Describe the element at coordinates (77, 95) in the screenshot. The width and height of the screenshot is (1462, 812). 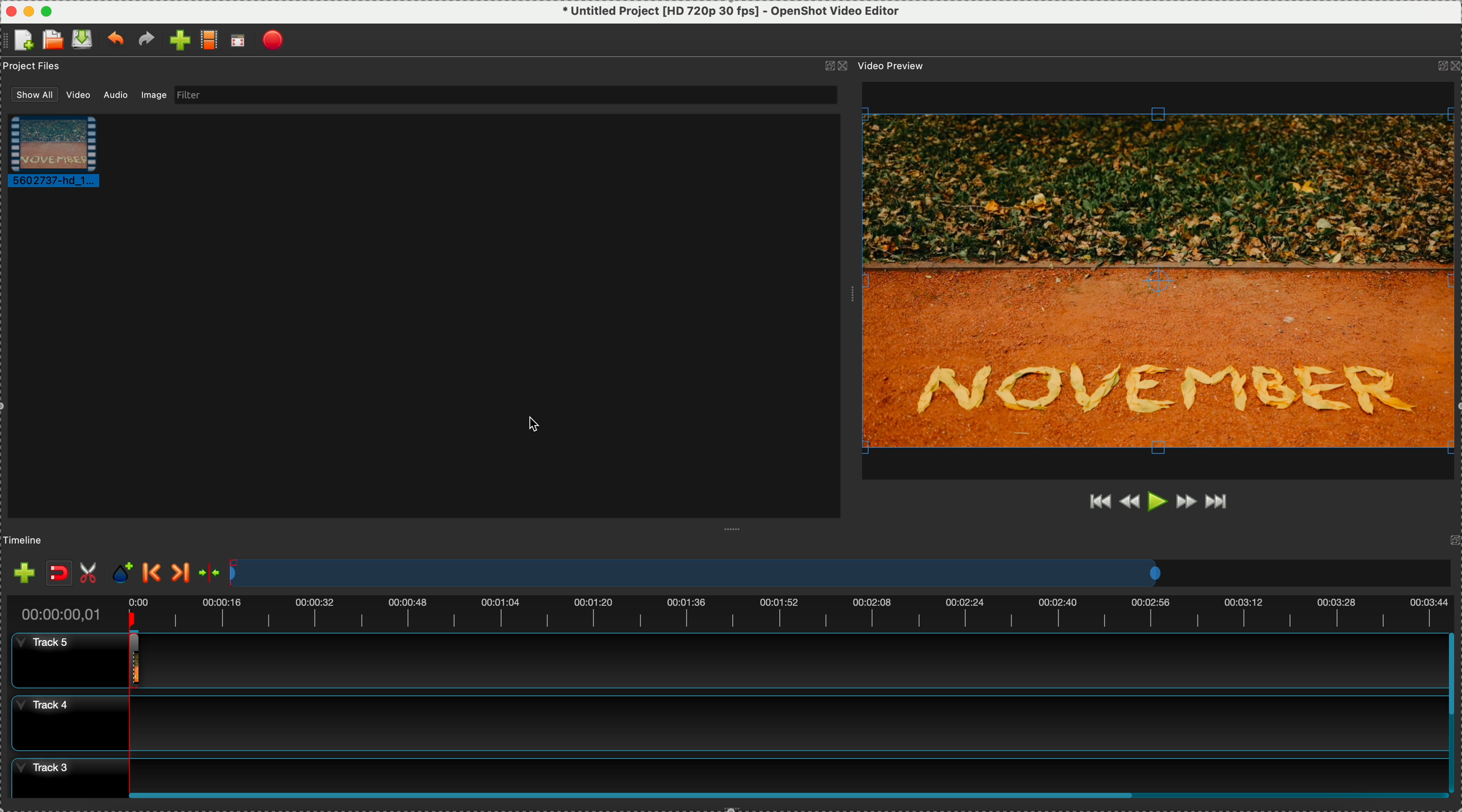
I see `video` at that location.